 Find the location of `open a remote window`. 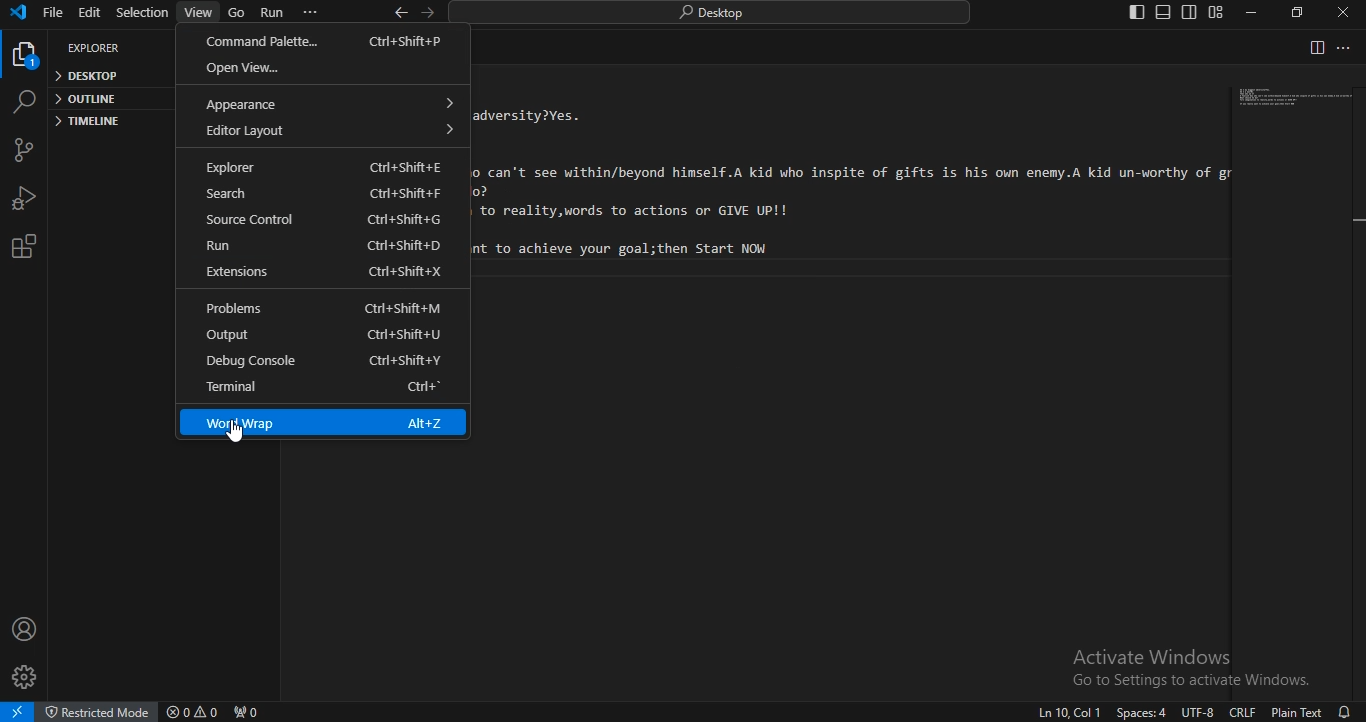

open a remote window is located at coordinates (17, 713).